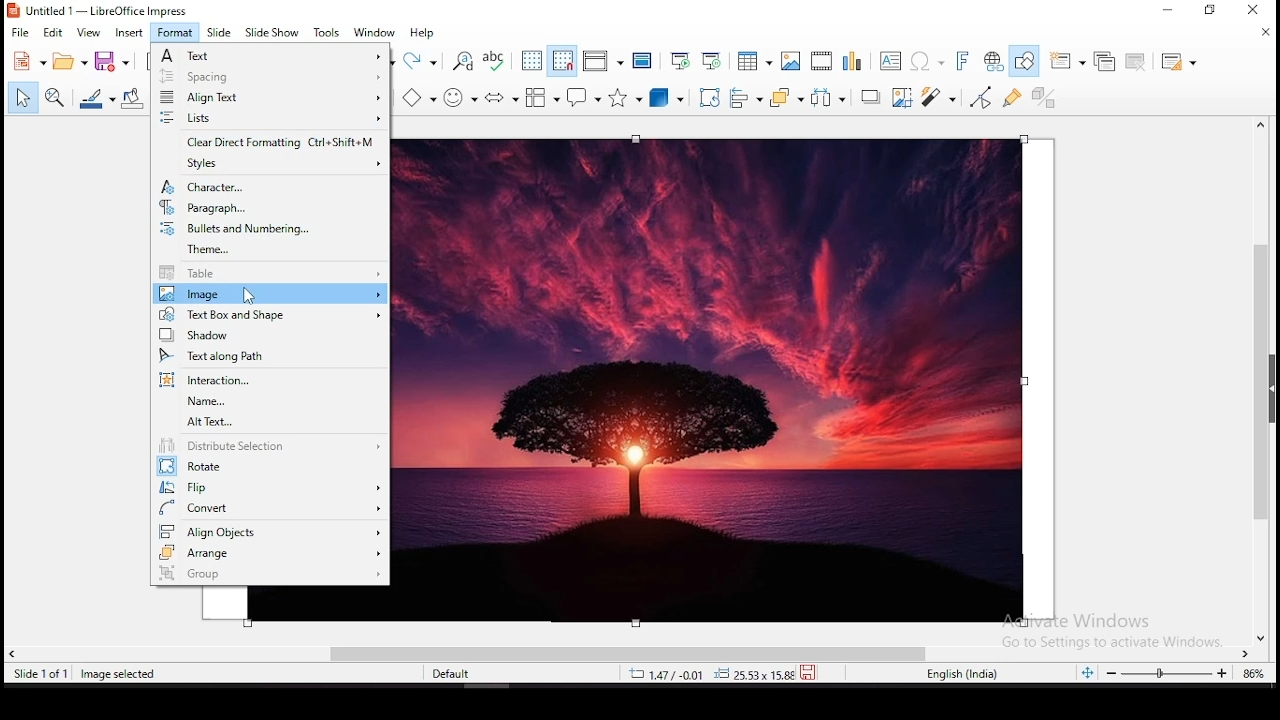 The height and width of the screenshot is (720, 1280). Describe the element at coordinates (464, 62) in the screenshot. I see `find and replace` at that location.